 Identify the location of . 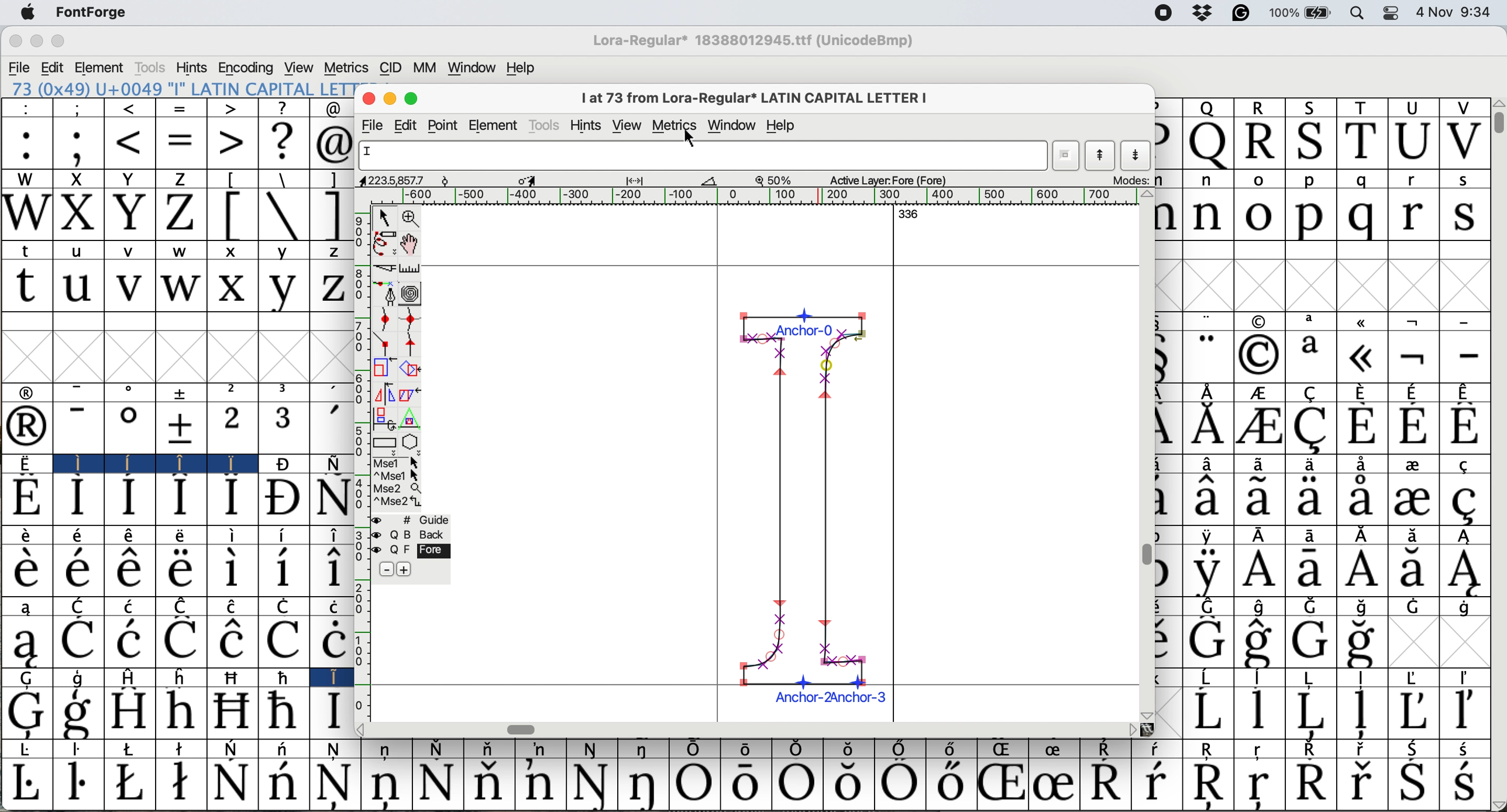
(450, 180).